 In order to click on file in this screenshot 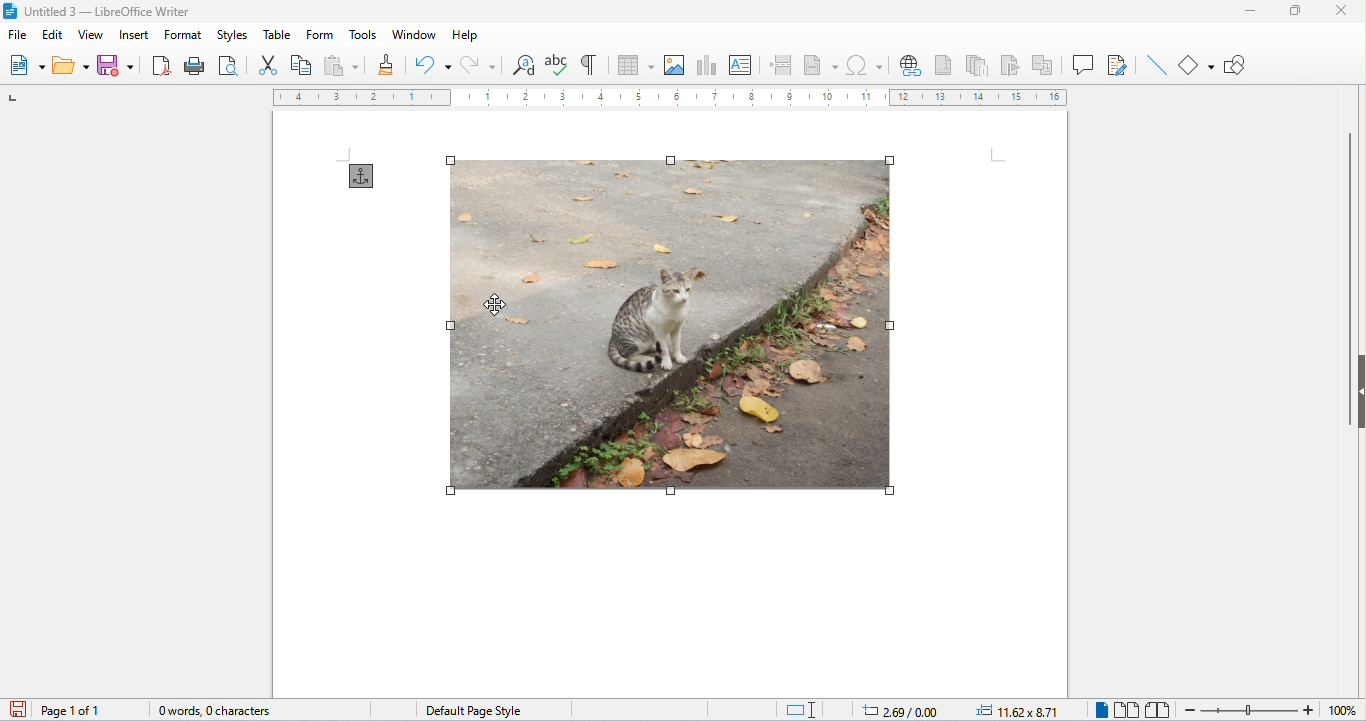, I will do `click(17, 36)`.